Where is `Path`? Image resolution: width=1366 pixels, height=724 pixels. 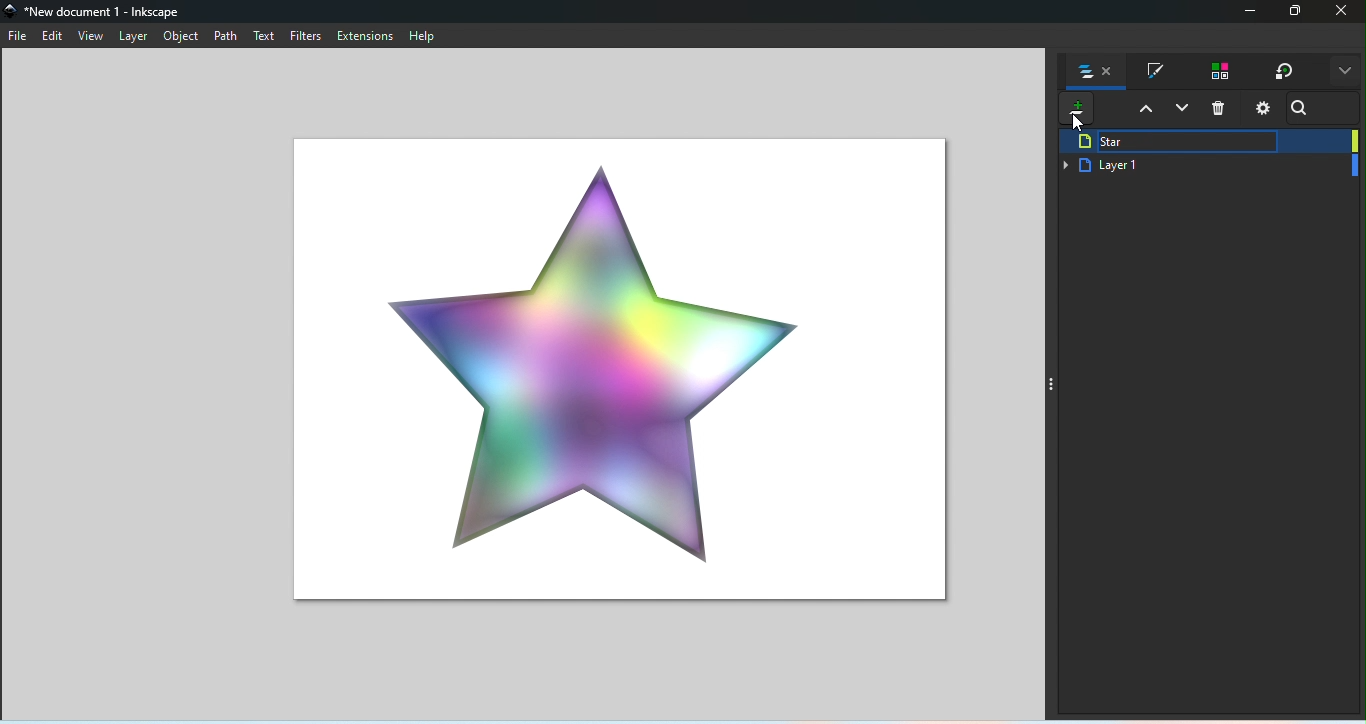 Path is located at coordinates (229, 38).